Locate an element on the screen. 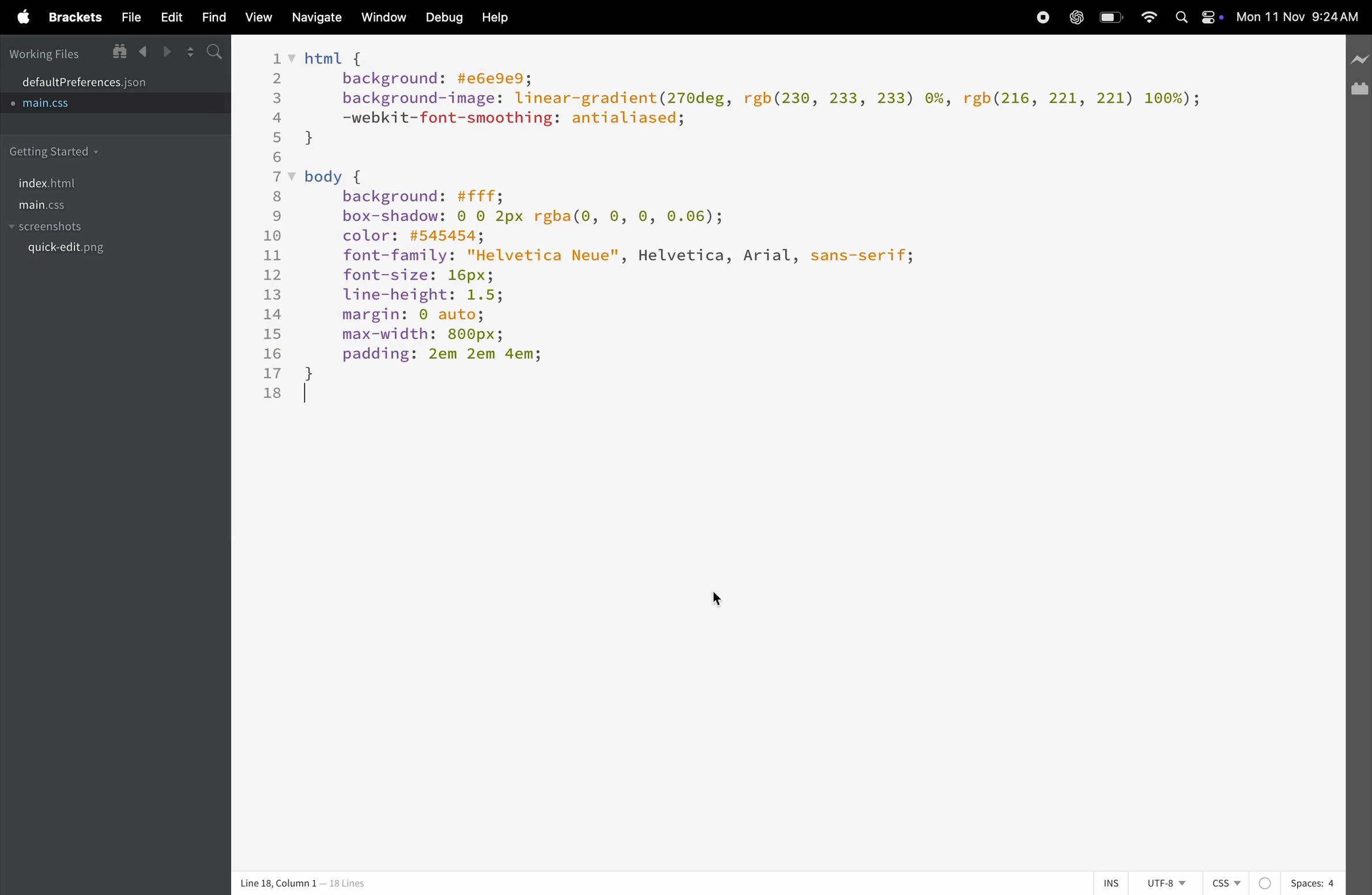  backward is located at coordinates (144, 52).